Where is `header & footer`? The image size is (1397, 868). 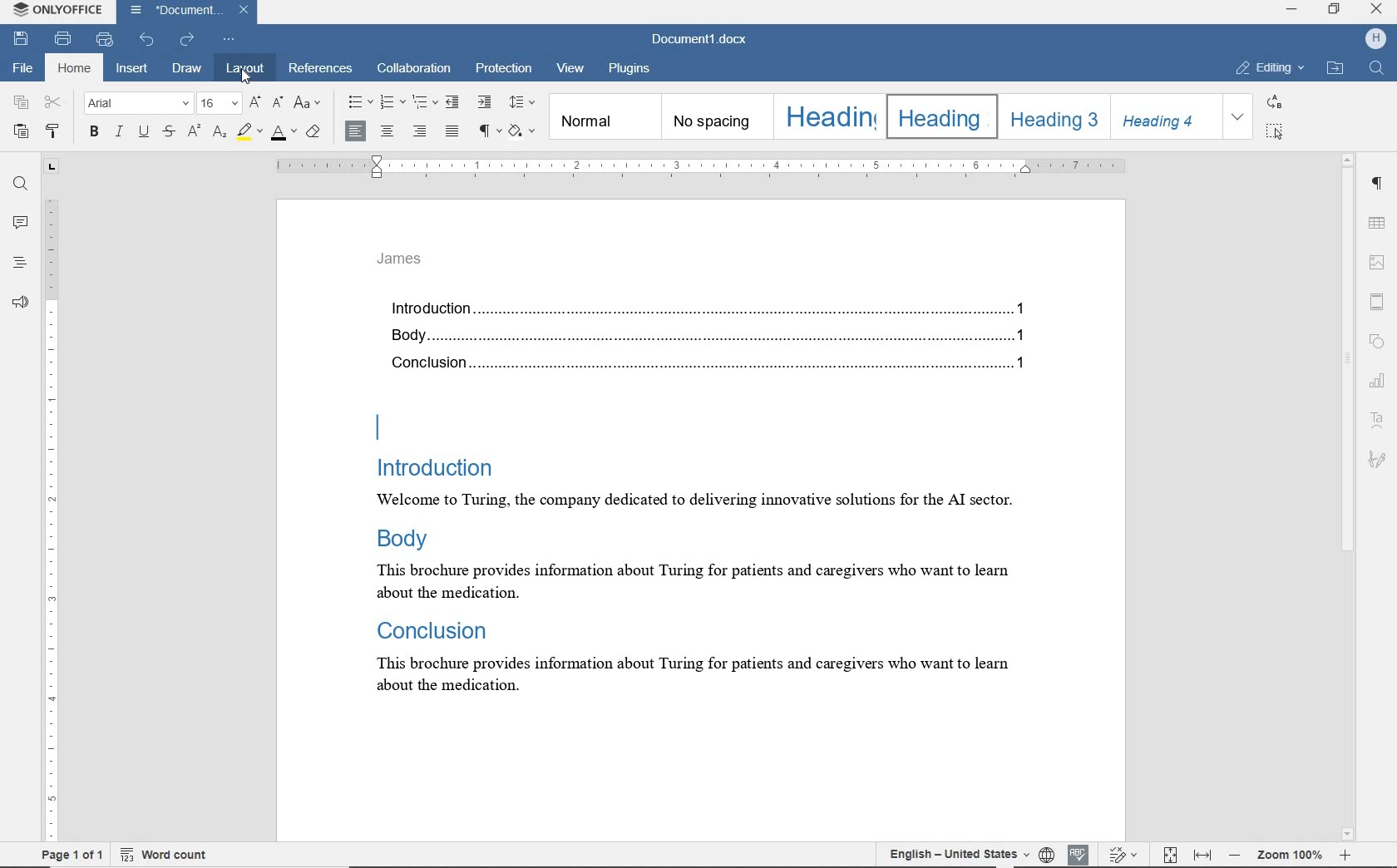 header & footer is located at coordinates (1381, 303).